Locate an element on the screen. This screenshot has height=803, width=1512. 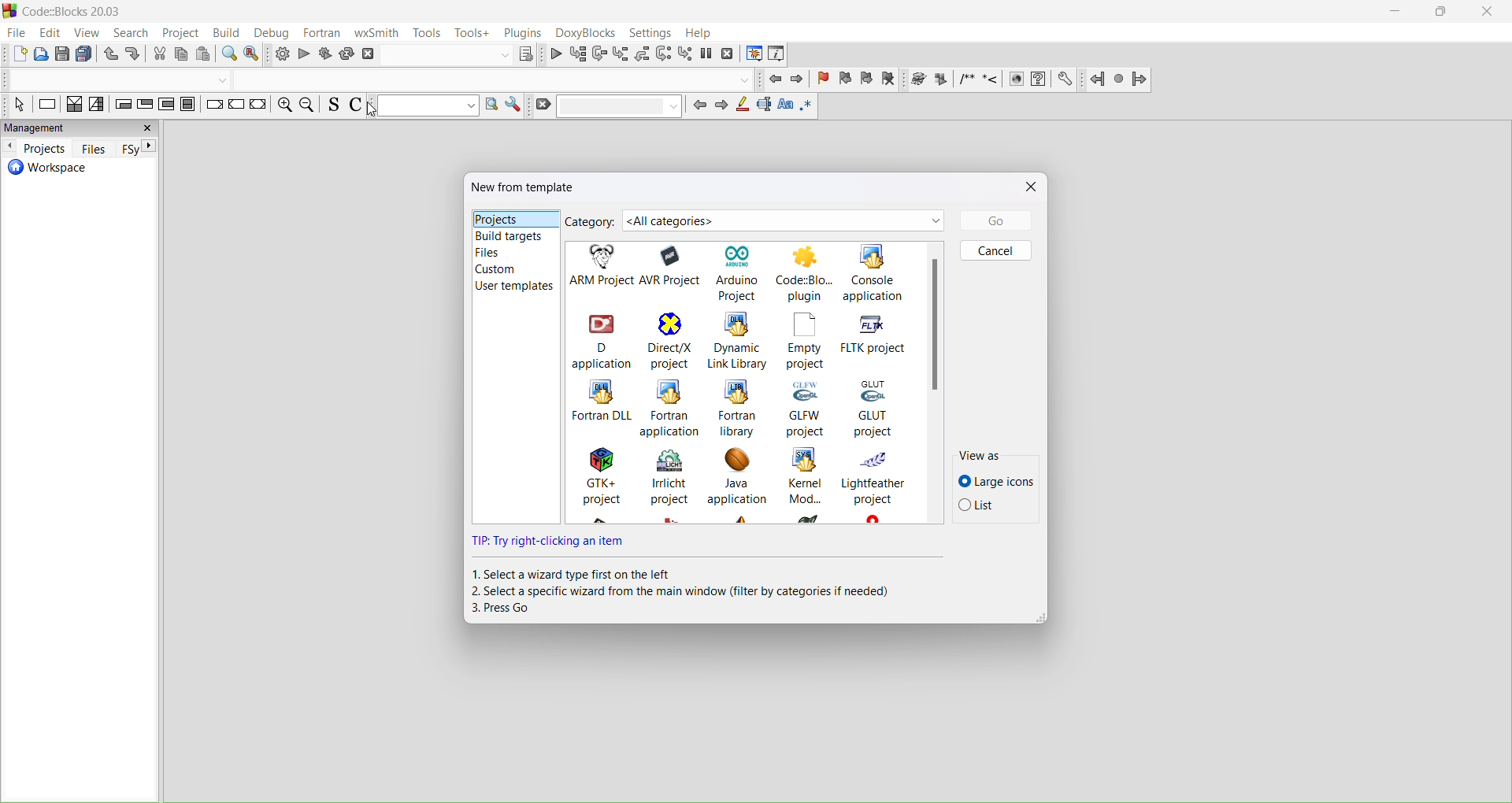
GLUT project is located at coordinates (884, 408).